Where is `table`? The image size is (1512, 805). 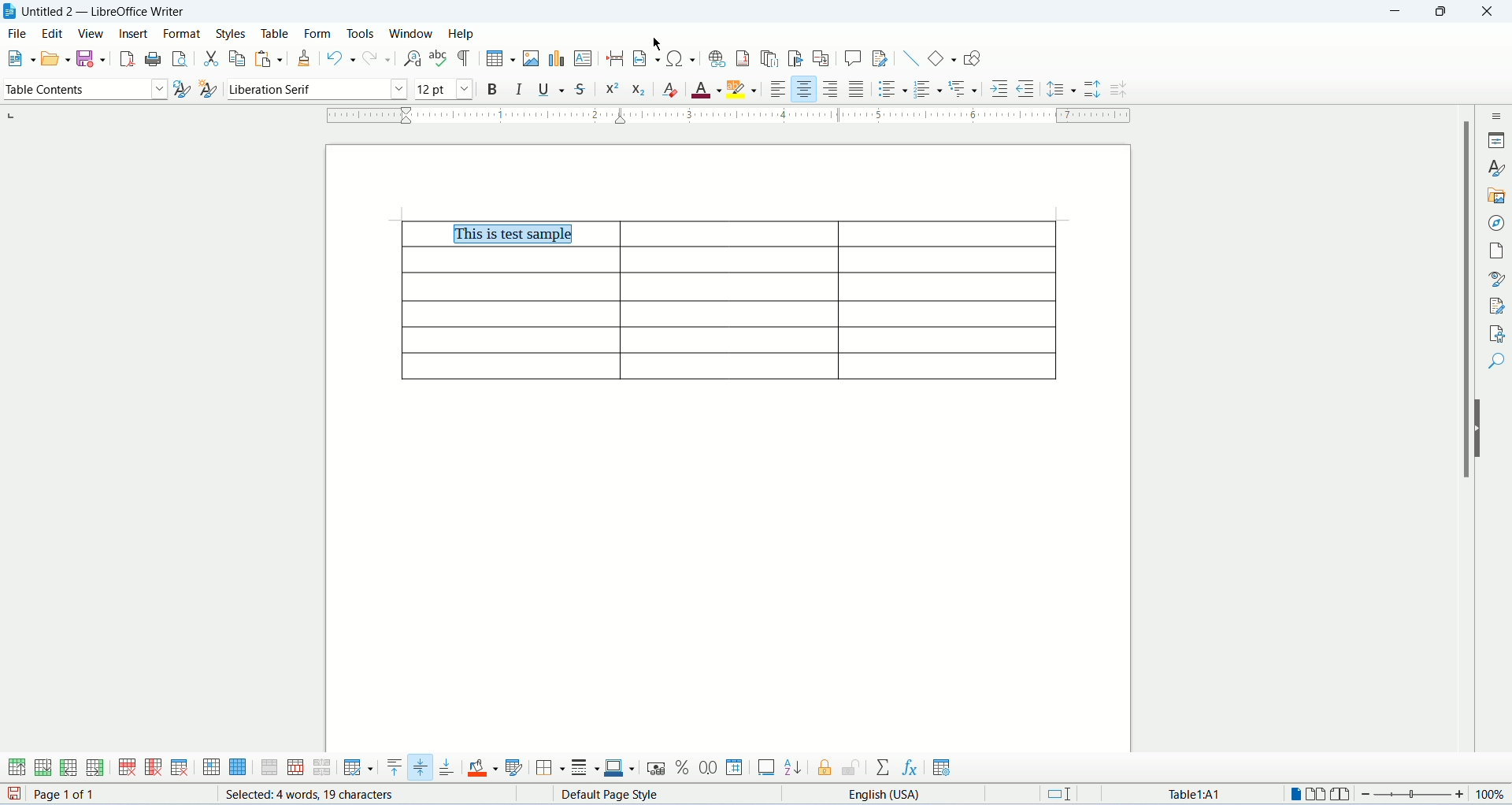 table is located at coordinates (280, 33).